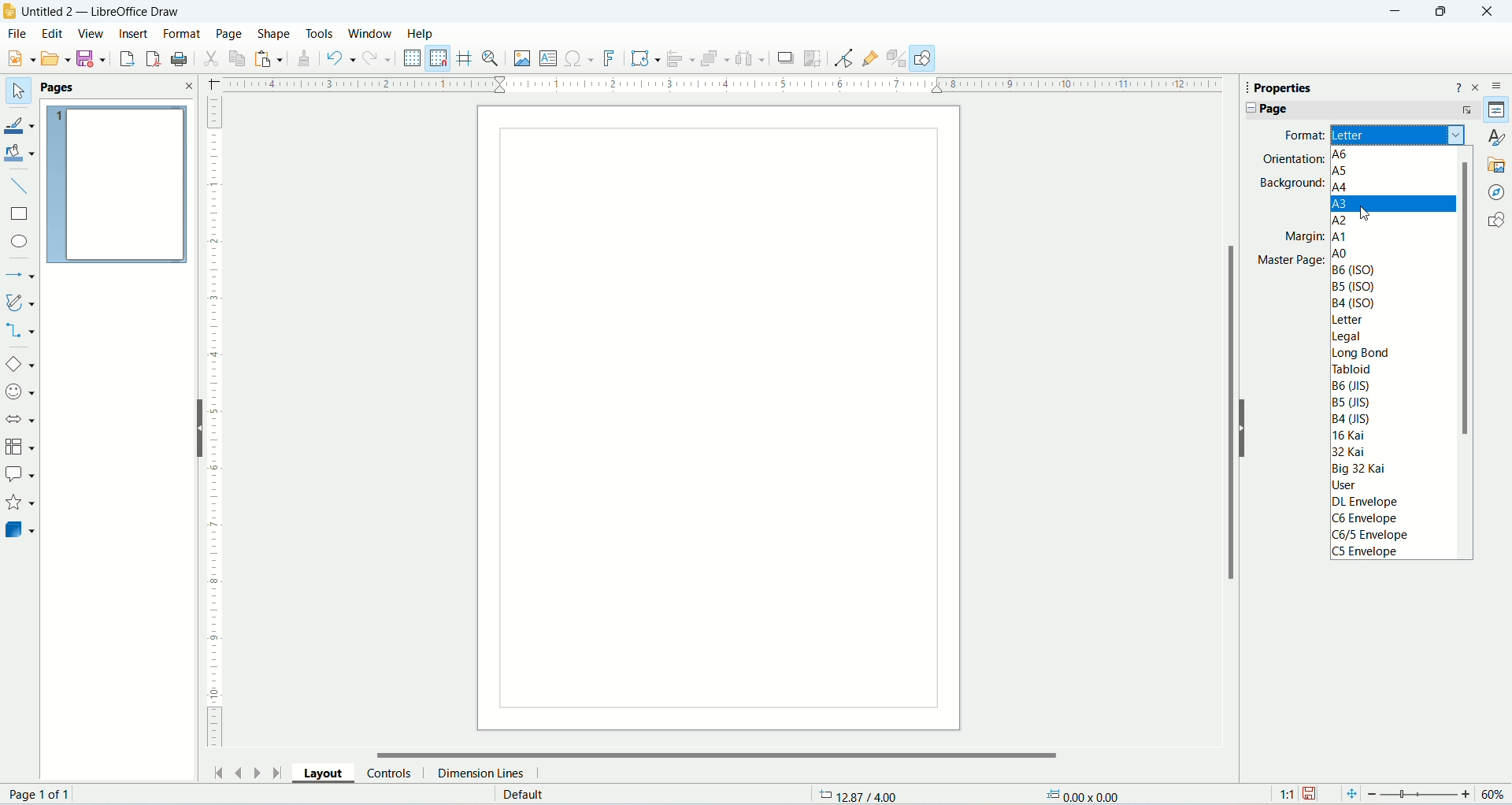  I want to click on ellipse, so click(19, 241).